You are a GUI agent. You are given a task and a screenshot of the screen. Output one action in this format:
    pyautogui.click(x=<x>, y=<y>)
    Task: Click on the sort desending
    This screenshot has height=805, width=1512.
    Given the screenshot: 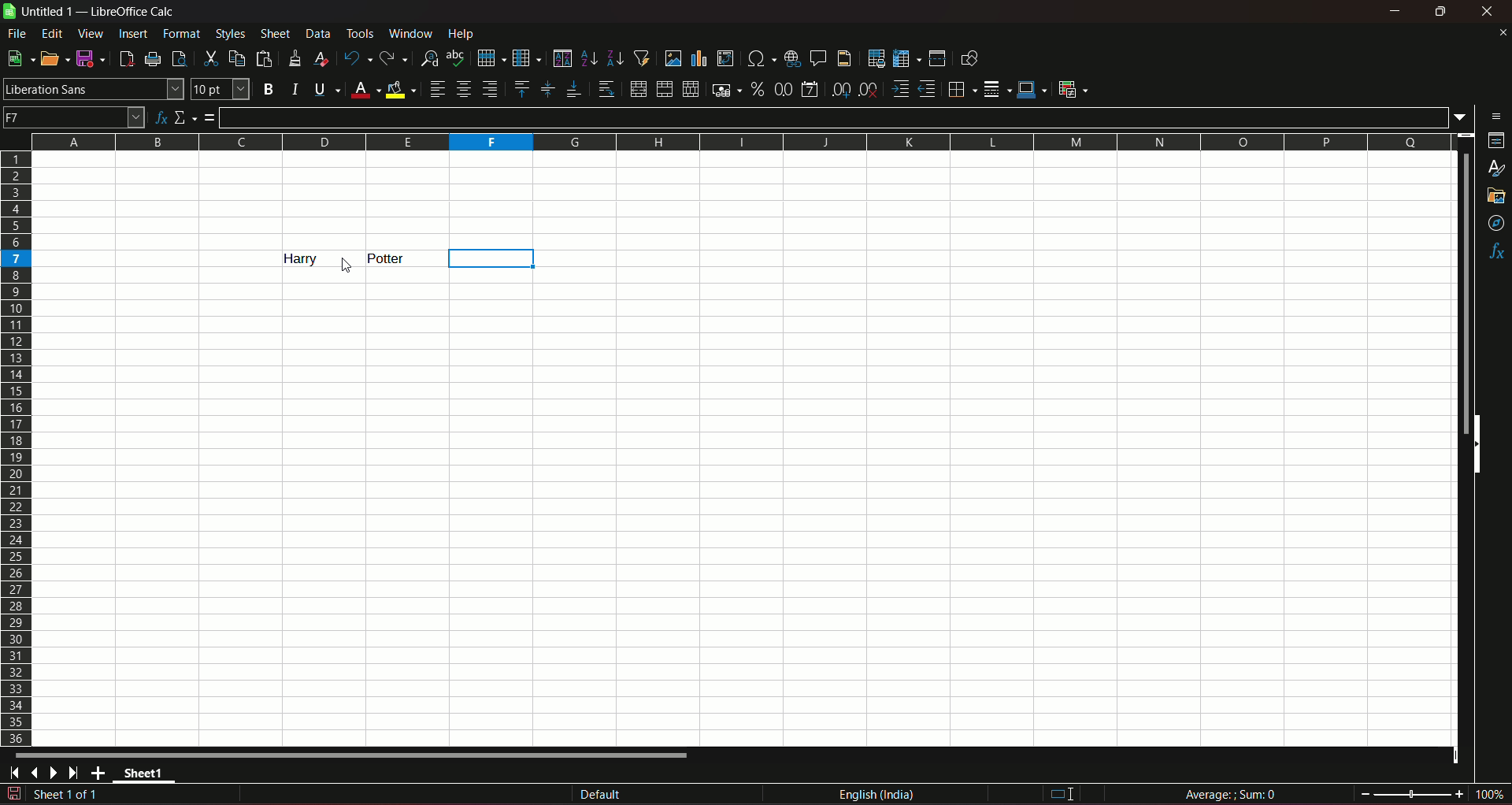 What is the action you would take?
    pyautogui.click(x=616, y=57)
    